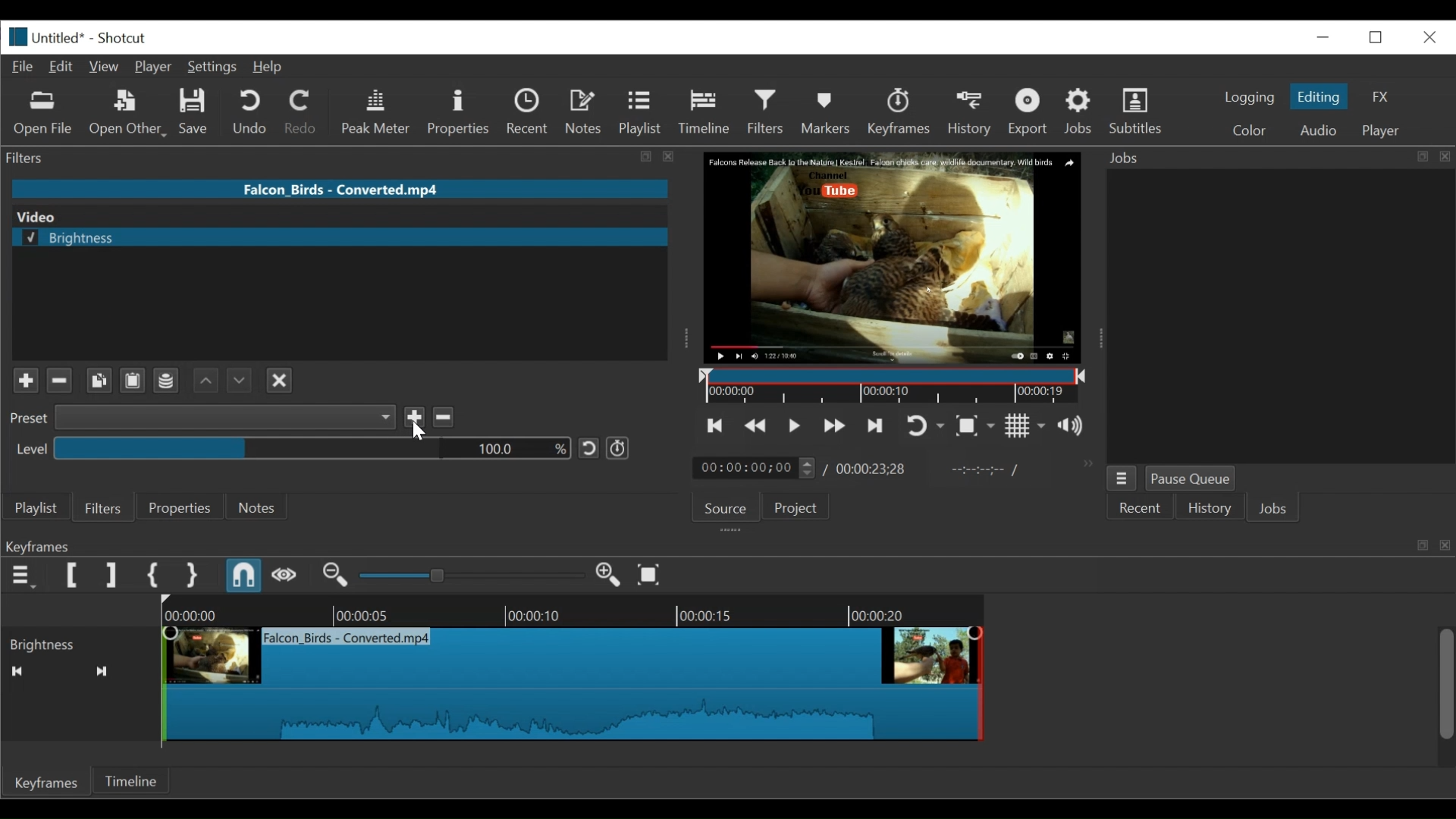 The height and width of the screenshot is (819, 1456). Describe the element at coordinates (130, 780) in the screenshot. I see `Timeline` at that location.